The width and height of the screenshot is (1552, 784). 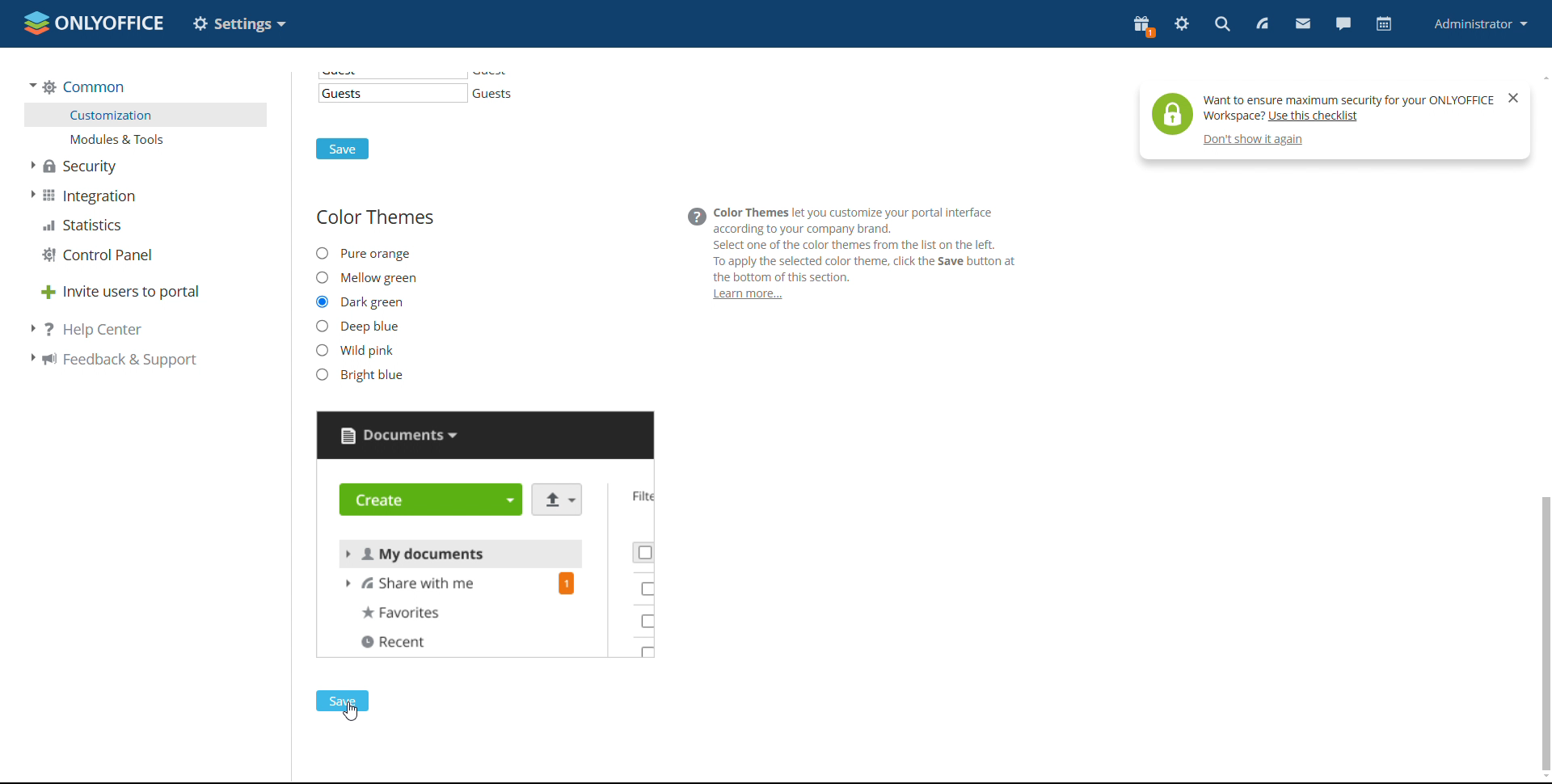 What do you see at coordinates (392, 93) in the screenshot?
I see `template for guest` at bounding box center [392, 93].